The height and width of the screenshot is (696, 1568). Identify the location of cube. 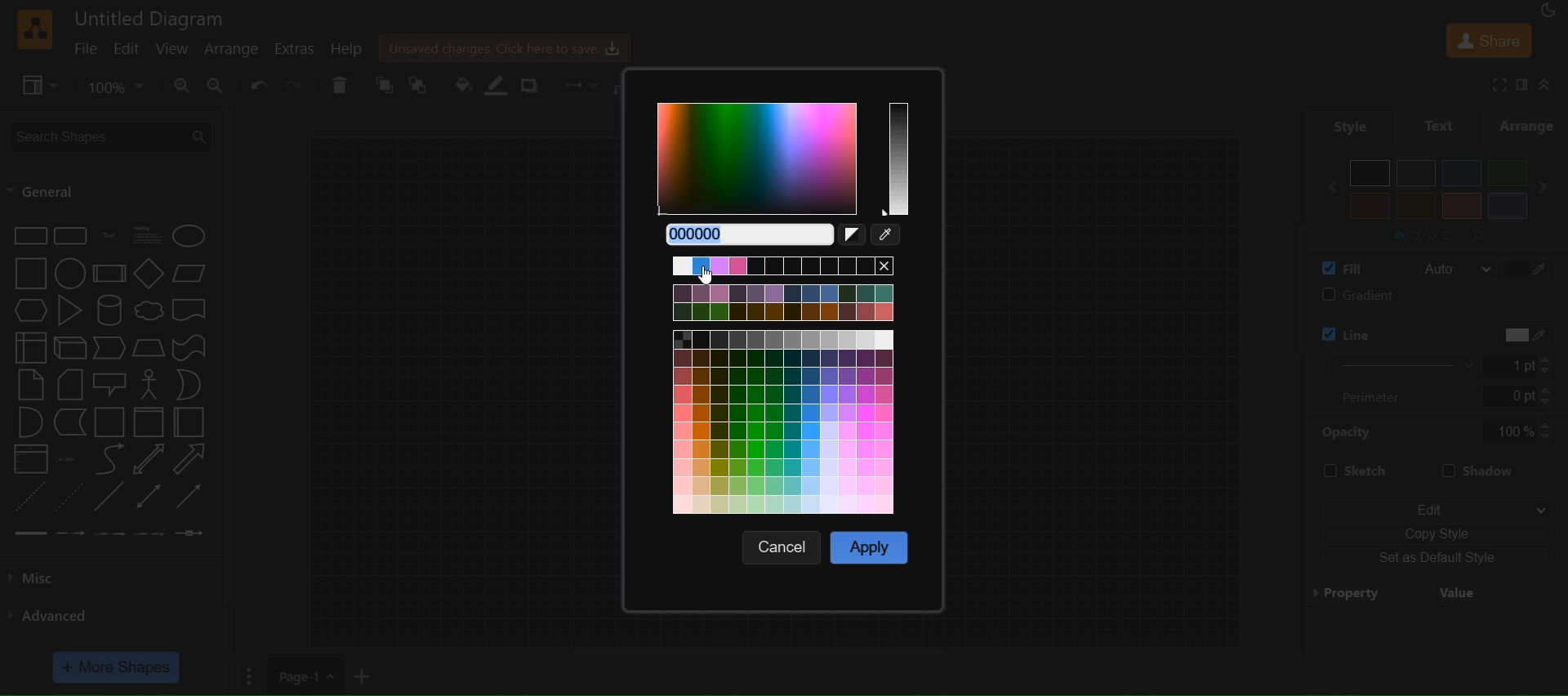
(70, 349).